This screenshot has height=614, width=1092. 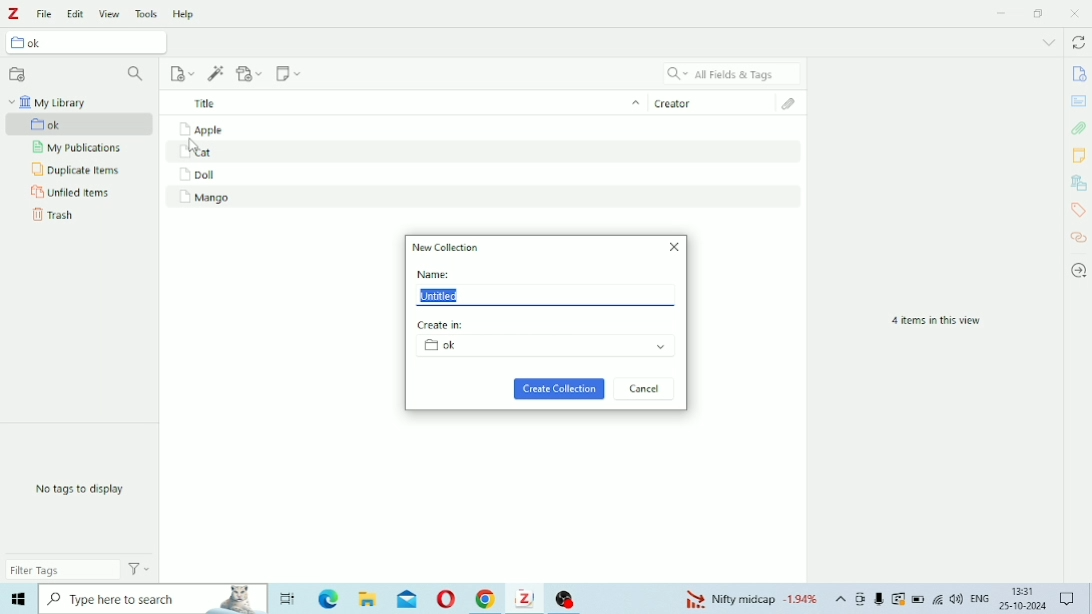 I want to click on Type here to search, so click(x=154, y=599).